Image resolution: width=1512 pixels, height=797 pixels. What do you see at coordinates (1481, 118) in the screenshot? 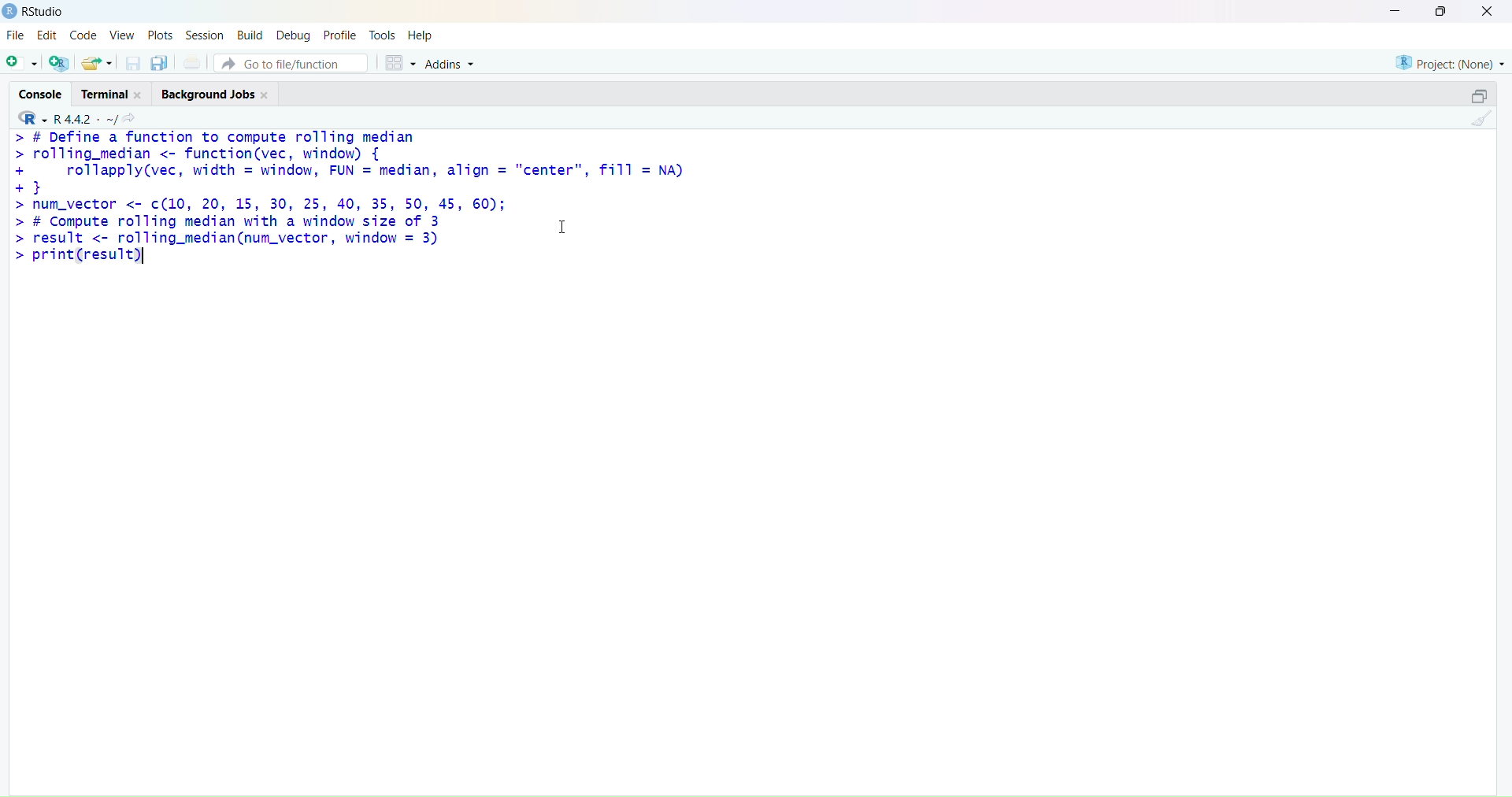
I see `clean` at bounding box center [1481, 118].